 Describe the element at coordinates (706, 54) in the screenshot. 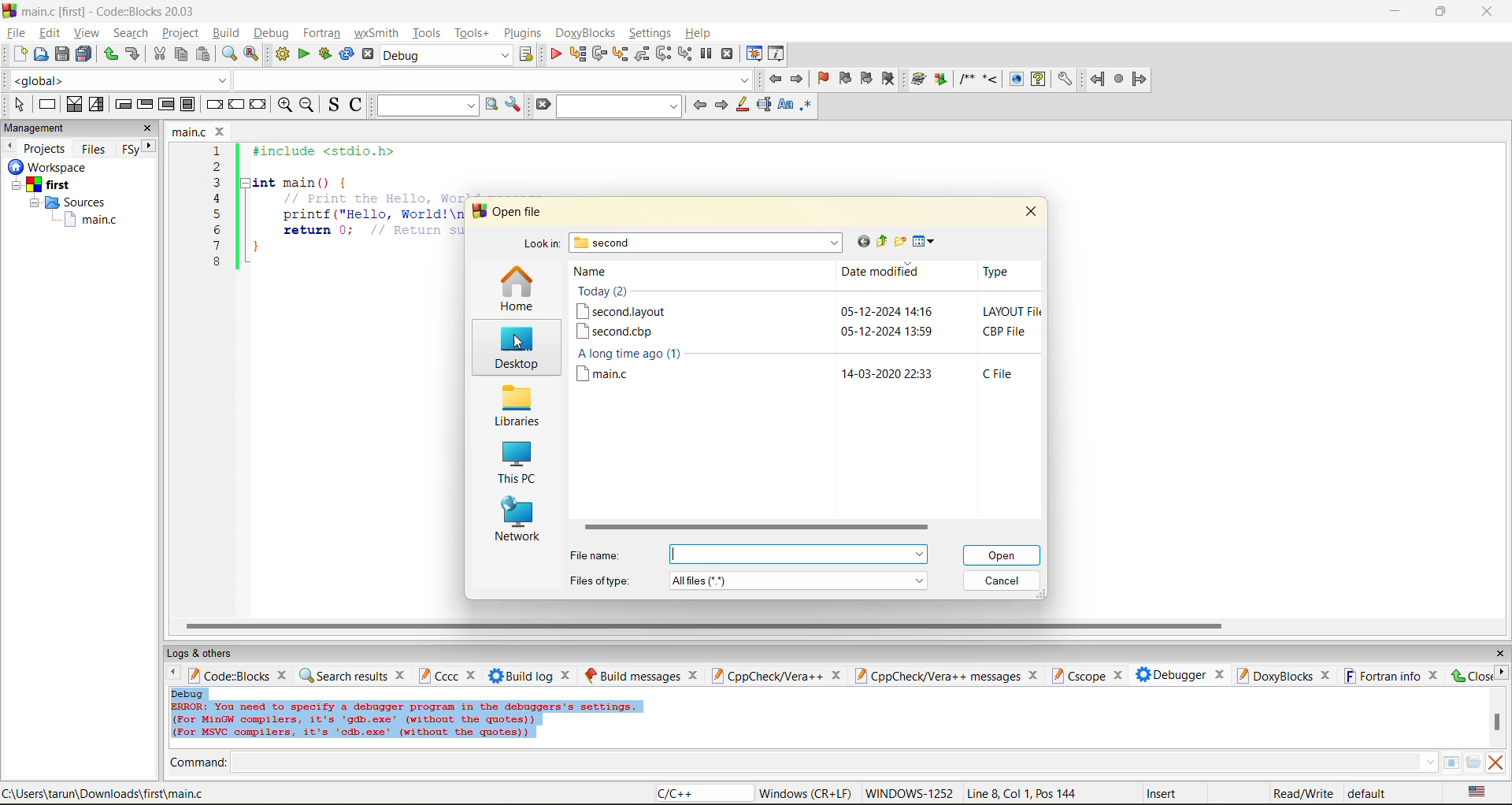

I see `break debugger` at that location.